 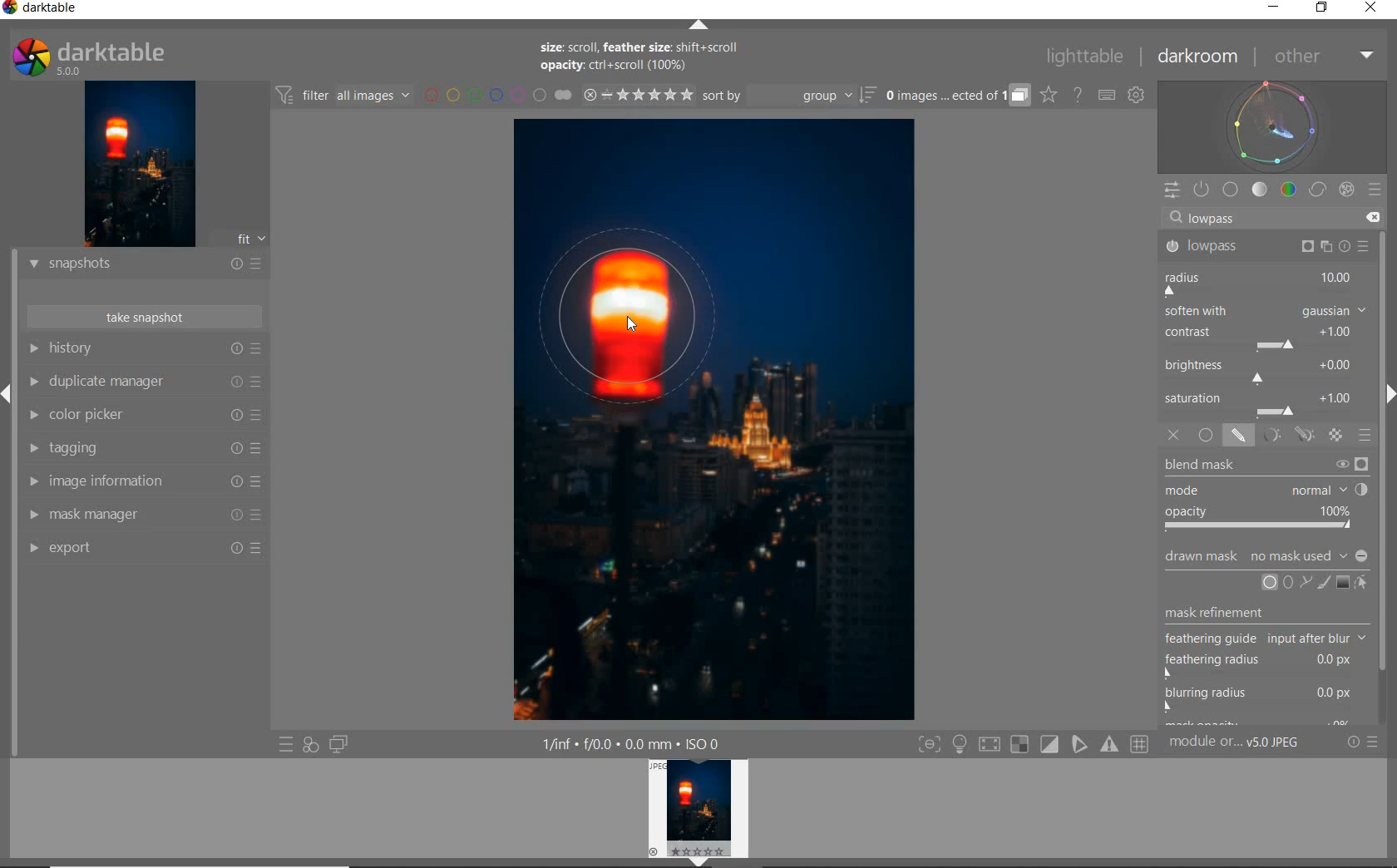 What do you see at coordinates (1288, 190) in the screenshot?
I see `COLOR` at bounding box center [1288, 190].